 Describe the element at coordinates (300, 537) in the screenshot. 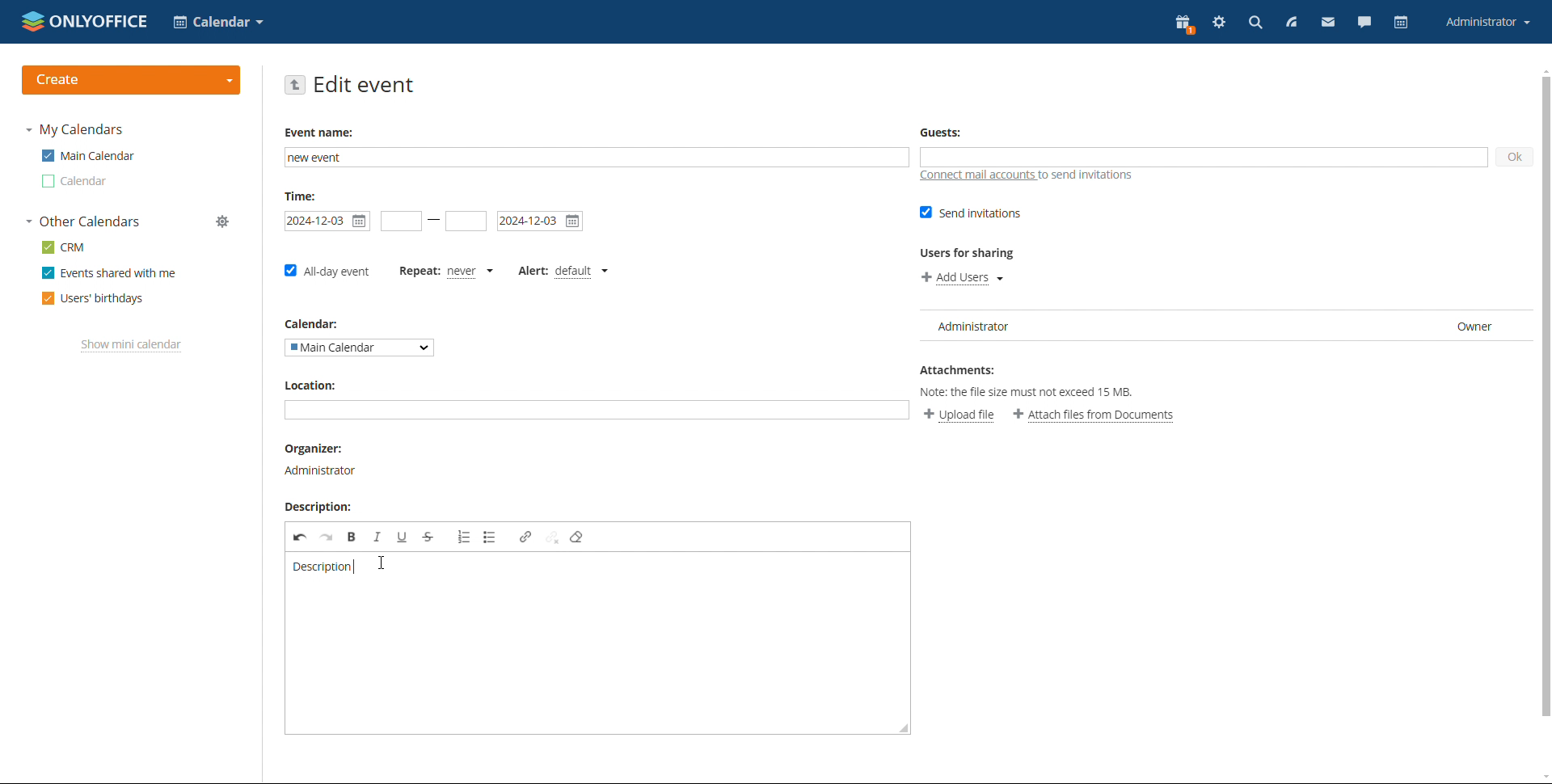

I see `undo` at that location.